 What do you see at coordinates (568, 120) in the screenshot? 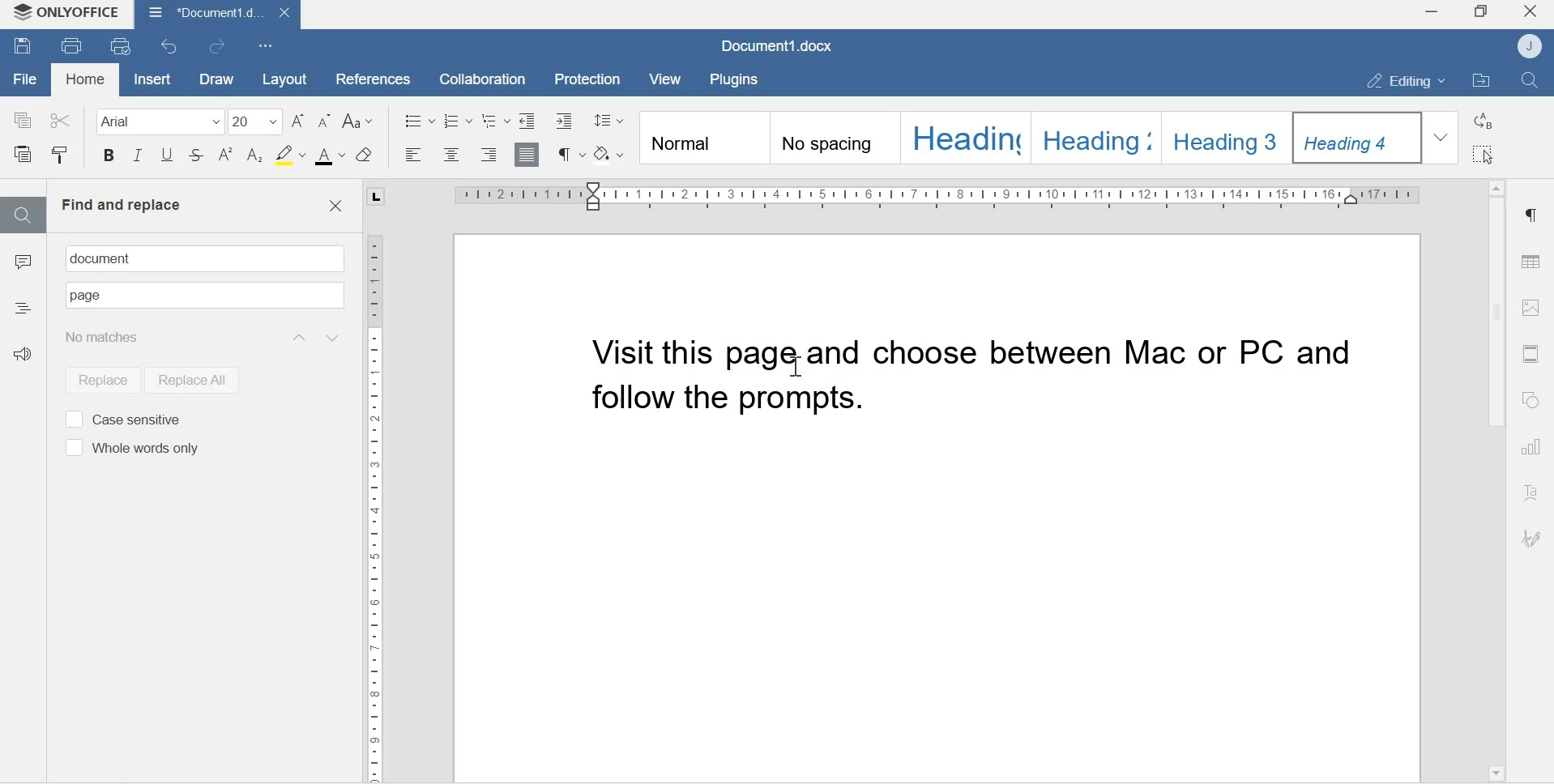
I see `Decrease Indent` at bounding box center [568, 120].